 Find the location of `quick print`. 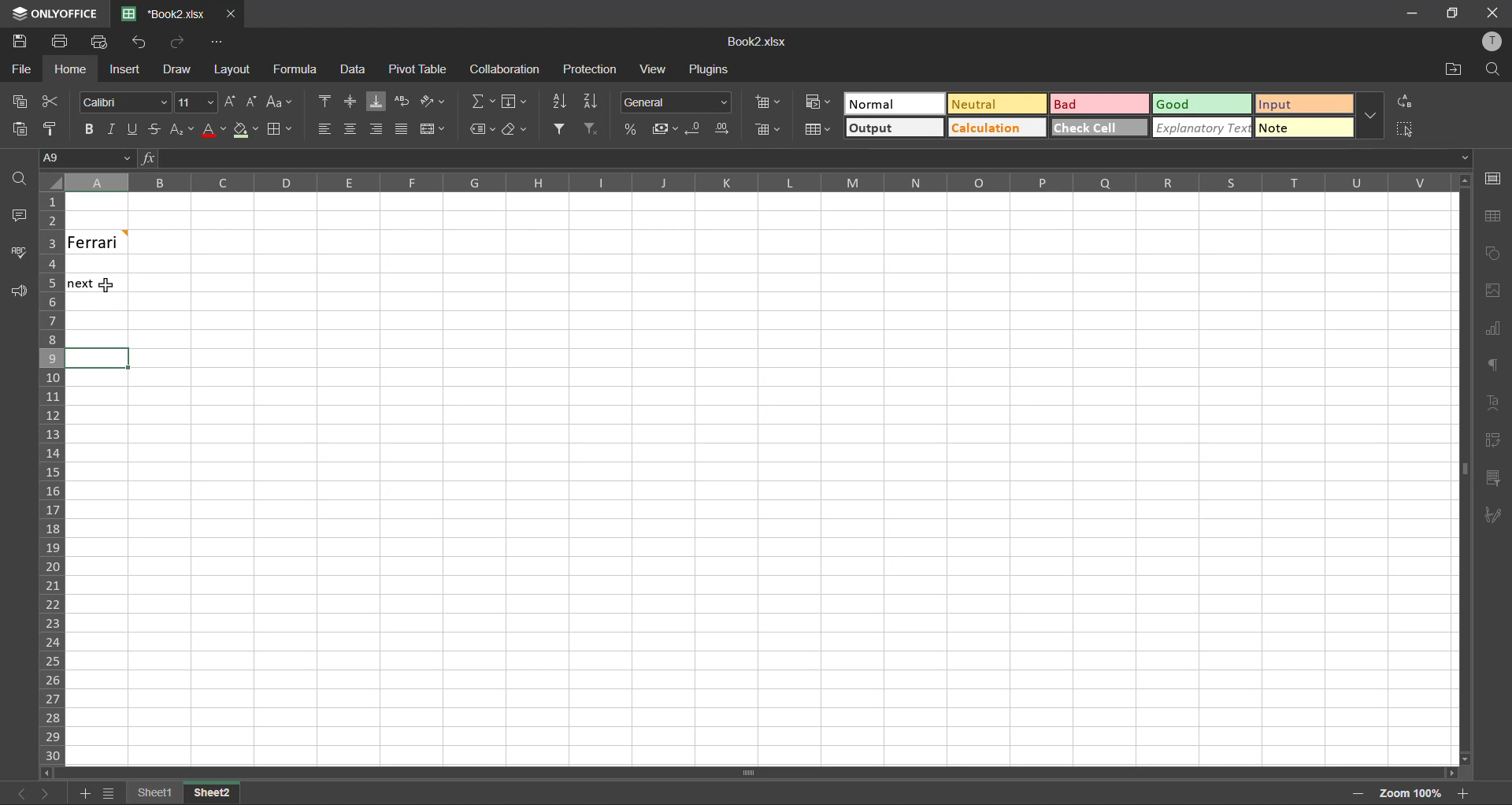

quick print is located at coordinates (97, 41).